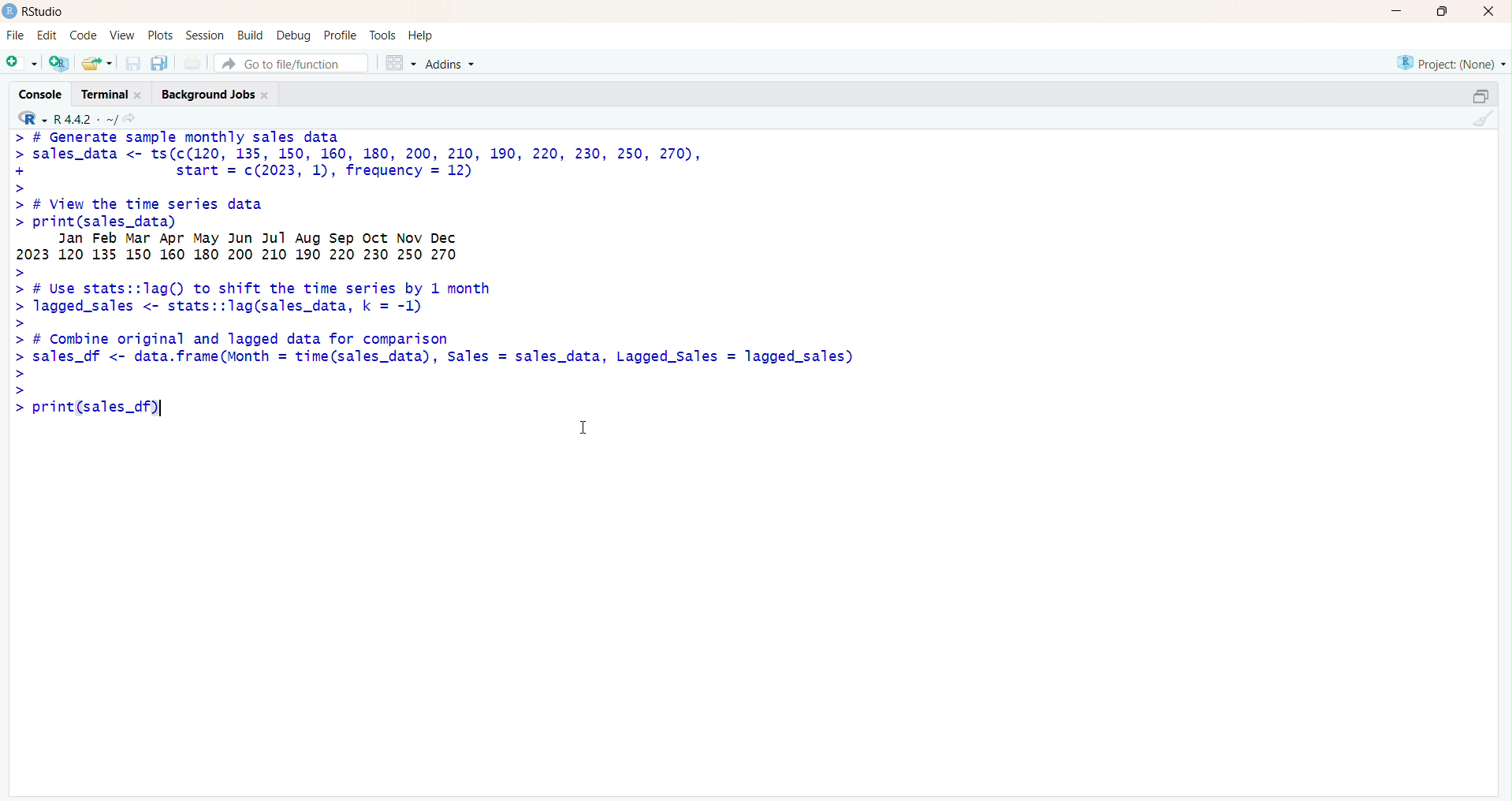  What do you see at coordinates (20, 63) in the screenshot?
I see `new script` at bounding box center [20, 63].